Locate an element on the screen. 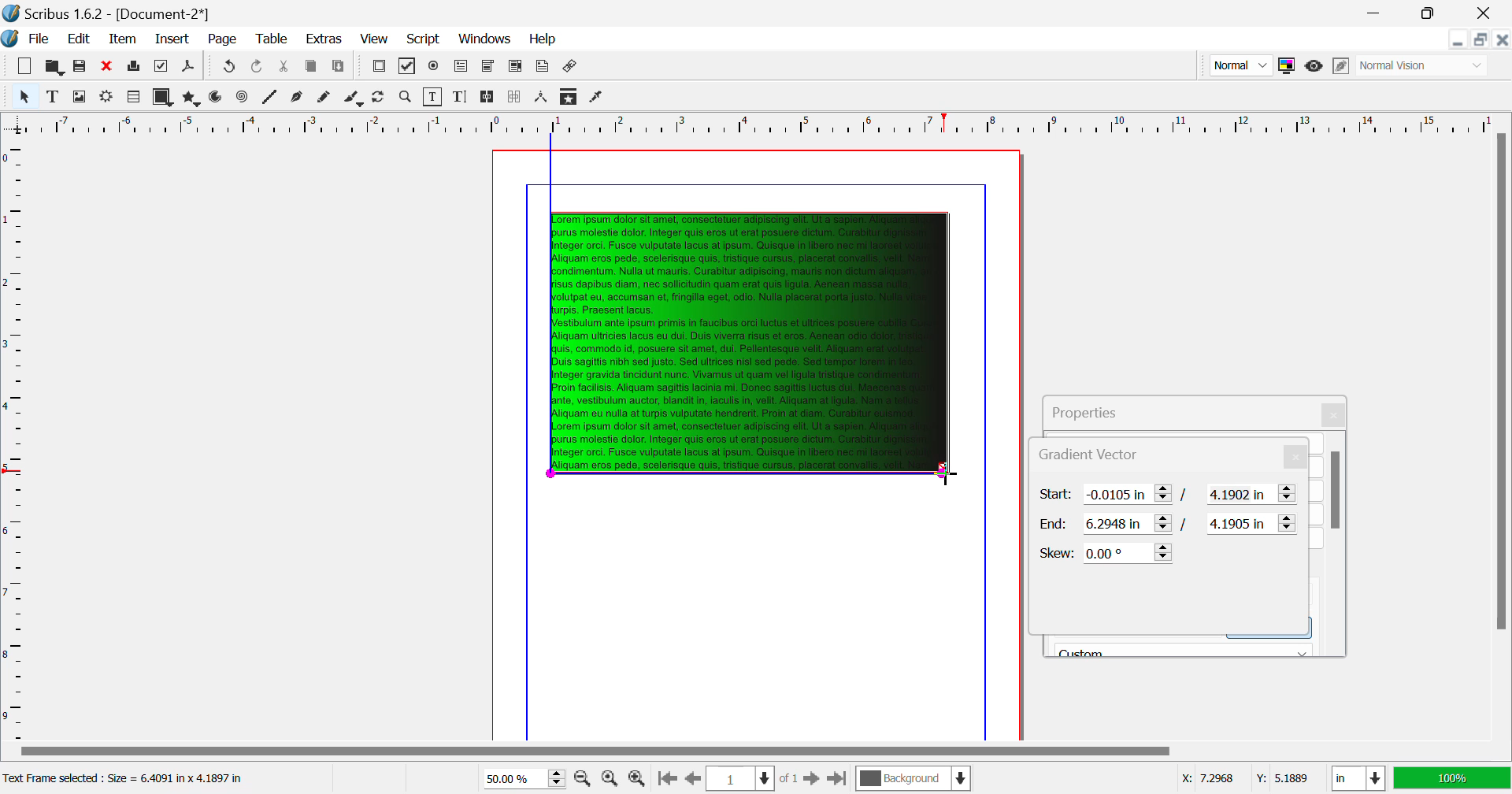  Pdf Radio Button is located at coordinates (434, 68).